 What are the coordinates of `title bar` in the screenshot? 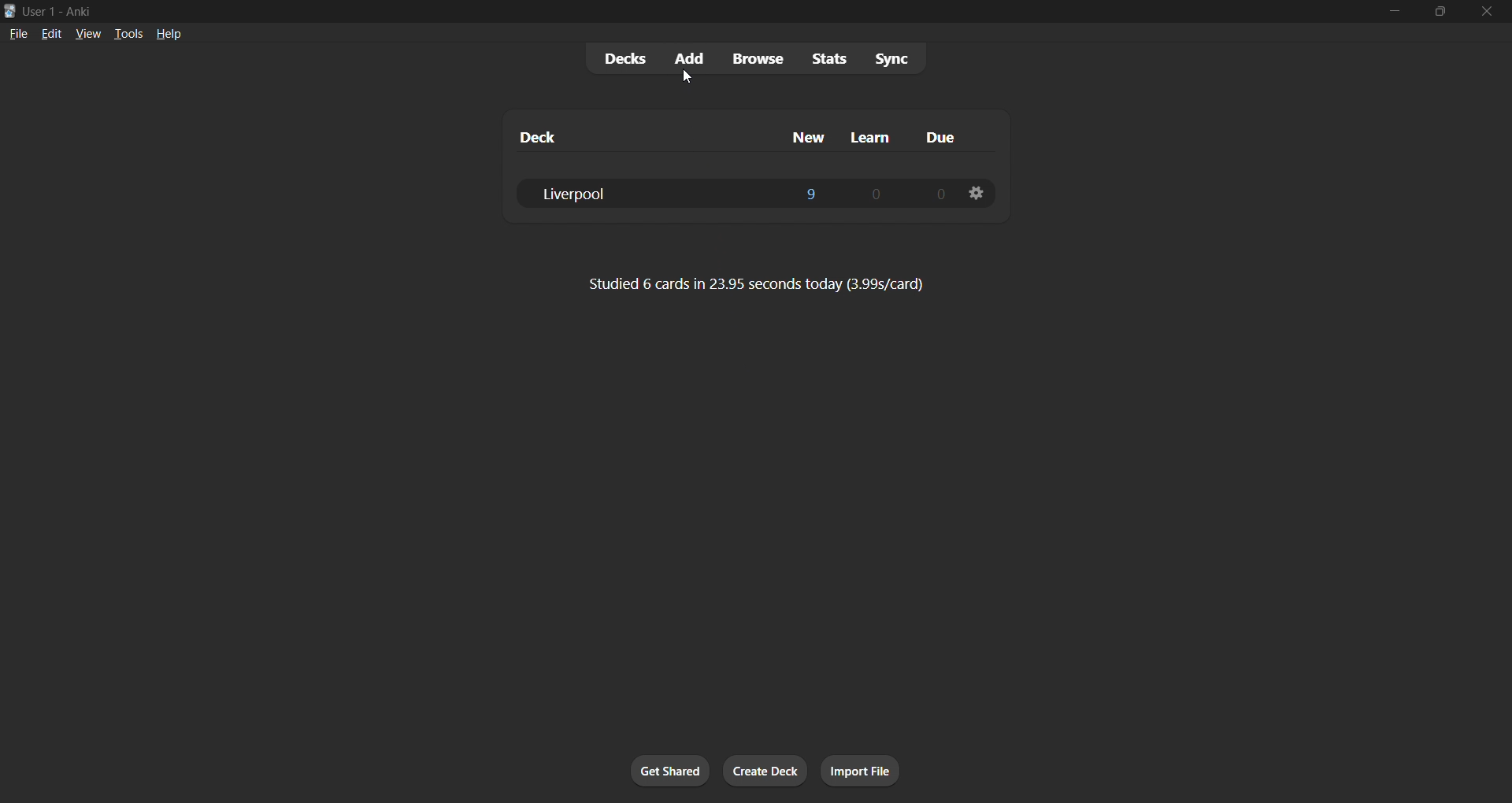 It's located at (661, 10).